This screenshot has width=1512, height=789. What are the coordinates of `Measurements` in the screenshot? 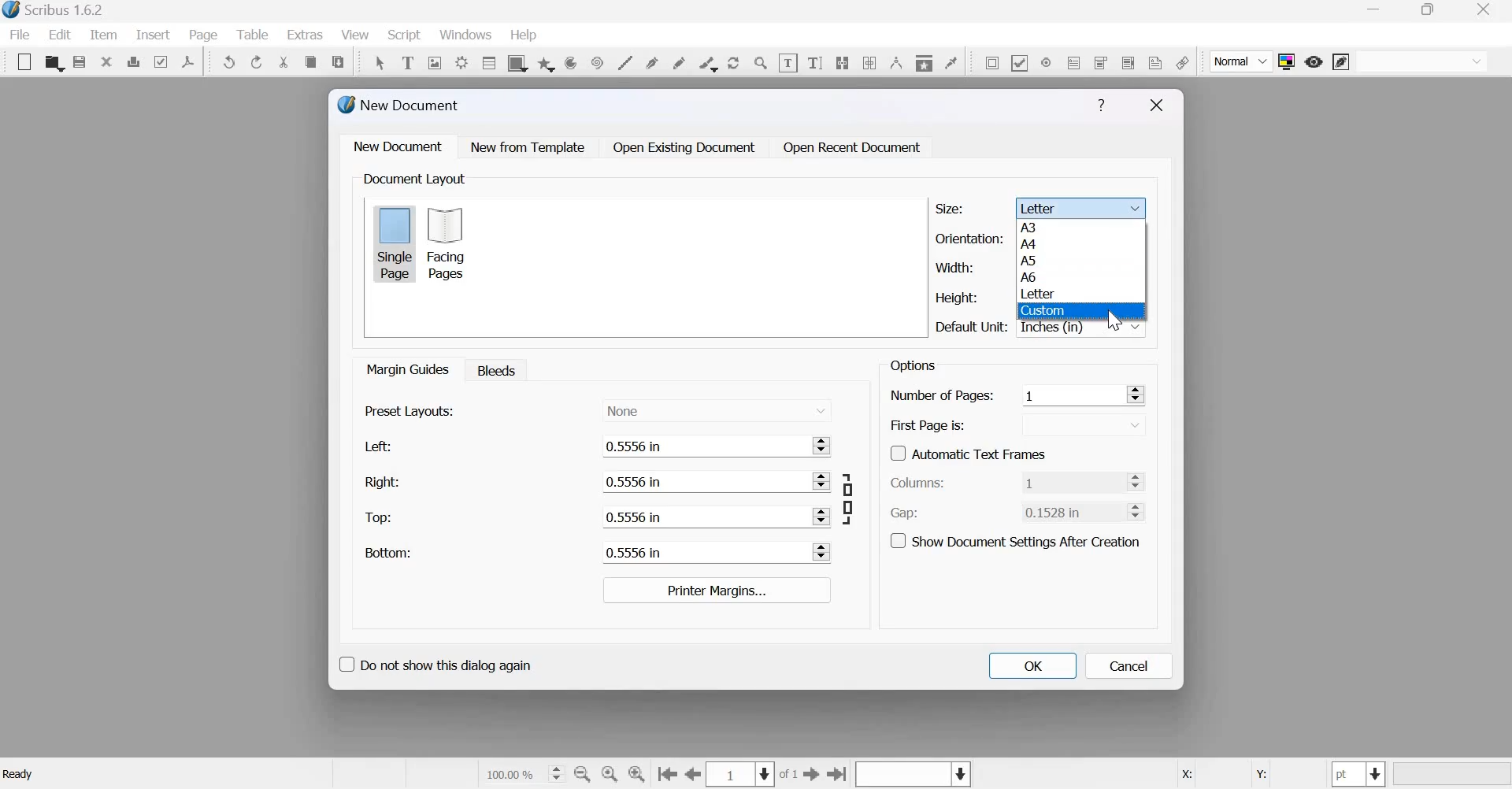 It's located at (895, 62).